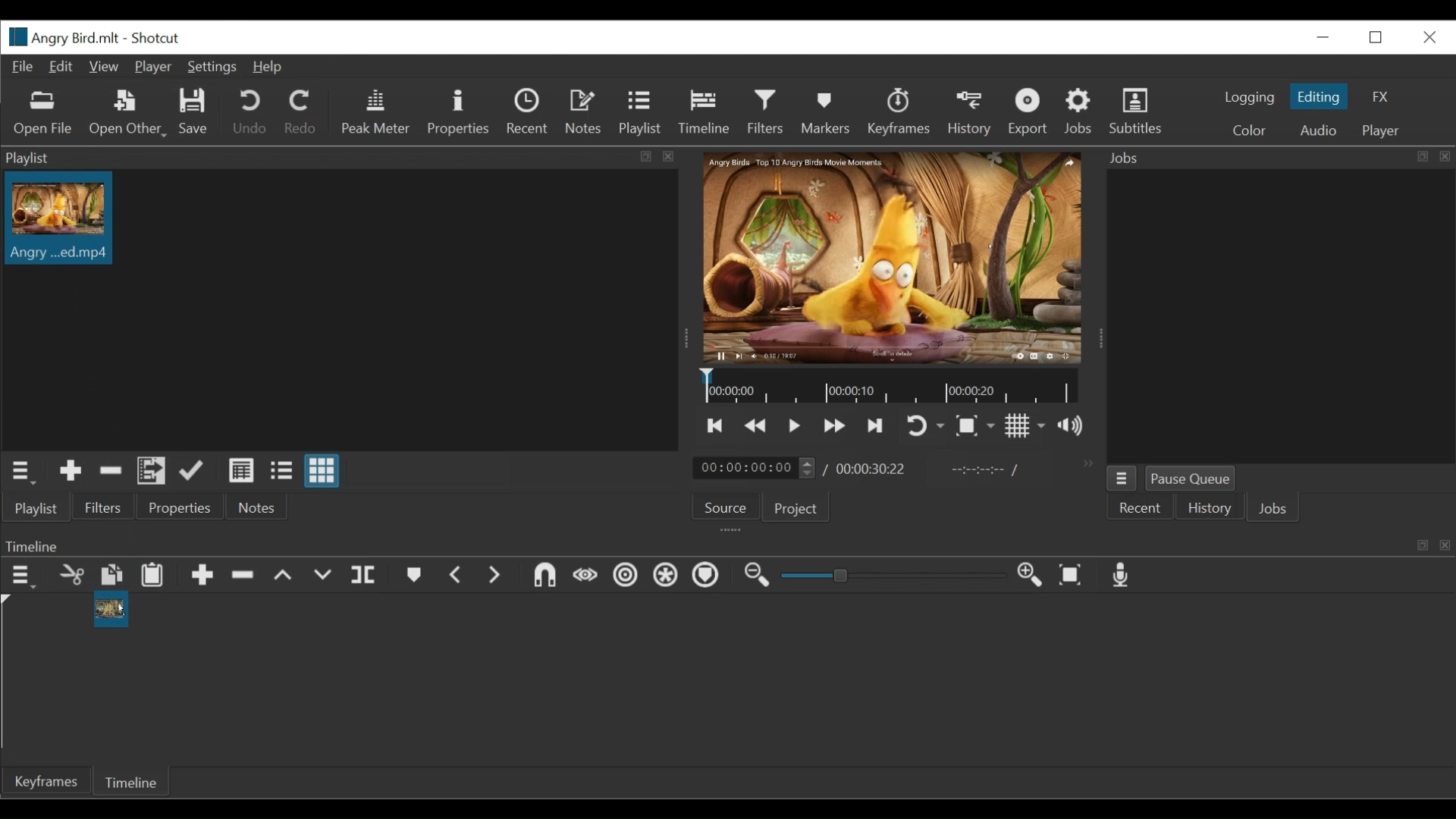  I want to click on color, so click(1248, 131).